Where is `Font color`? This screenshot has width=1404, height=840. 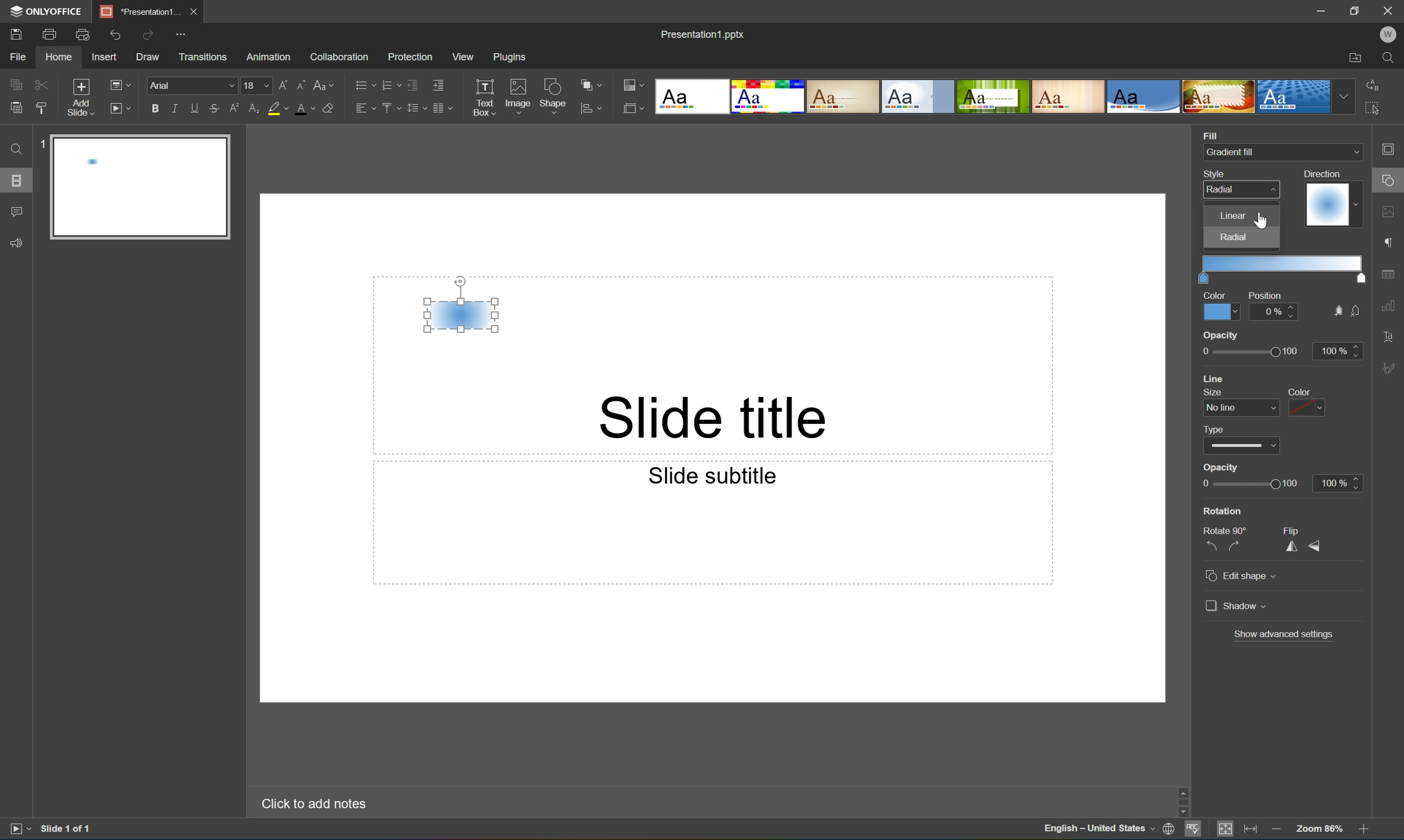
Font color is located at coordinates (303, 108).